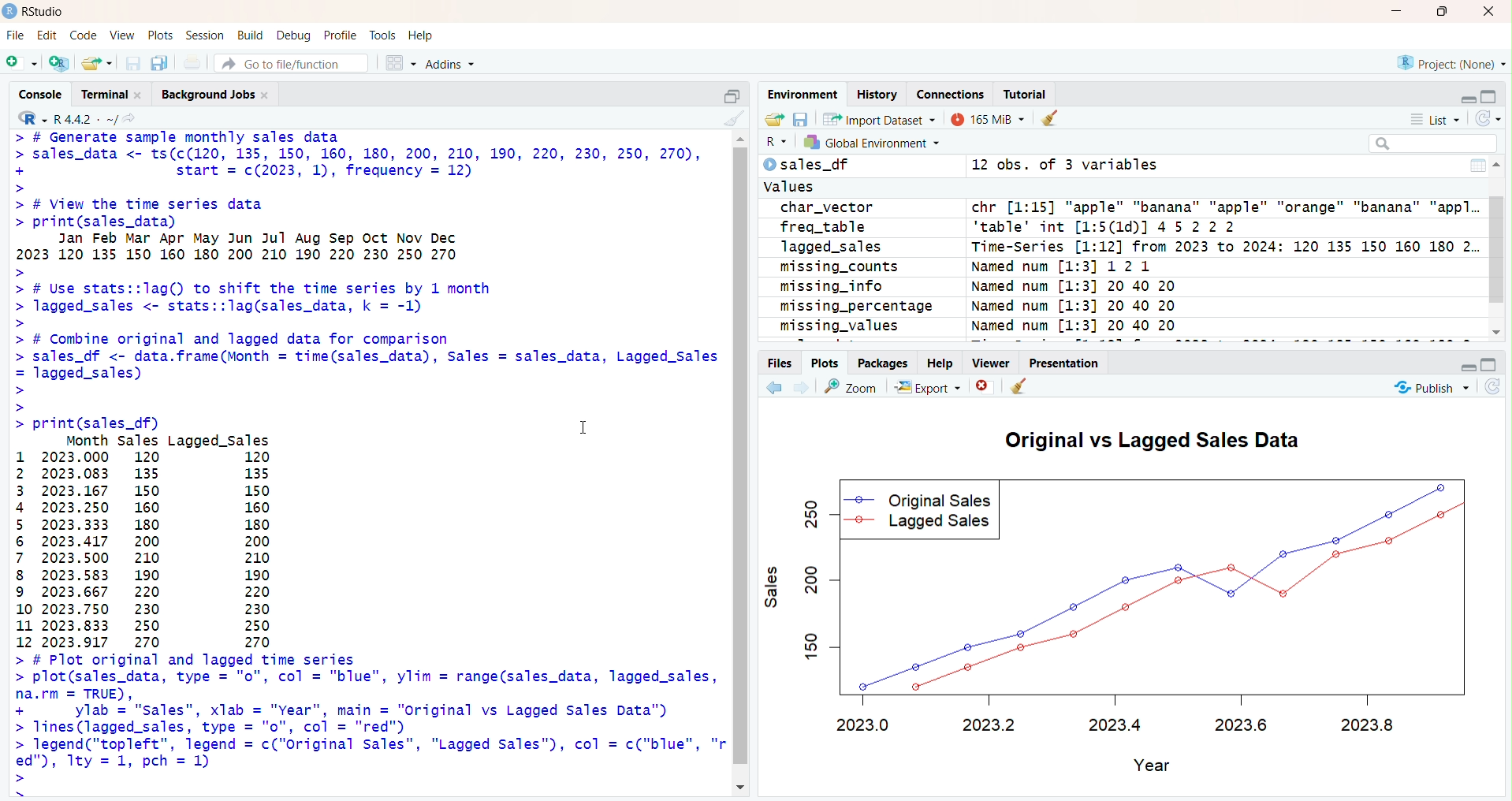 The height and width of the screenshot is (801, 1512). I want to click on refresh current plot, so click(1495, 388).